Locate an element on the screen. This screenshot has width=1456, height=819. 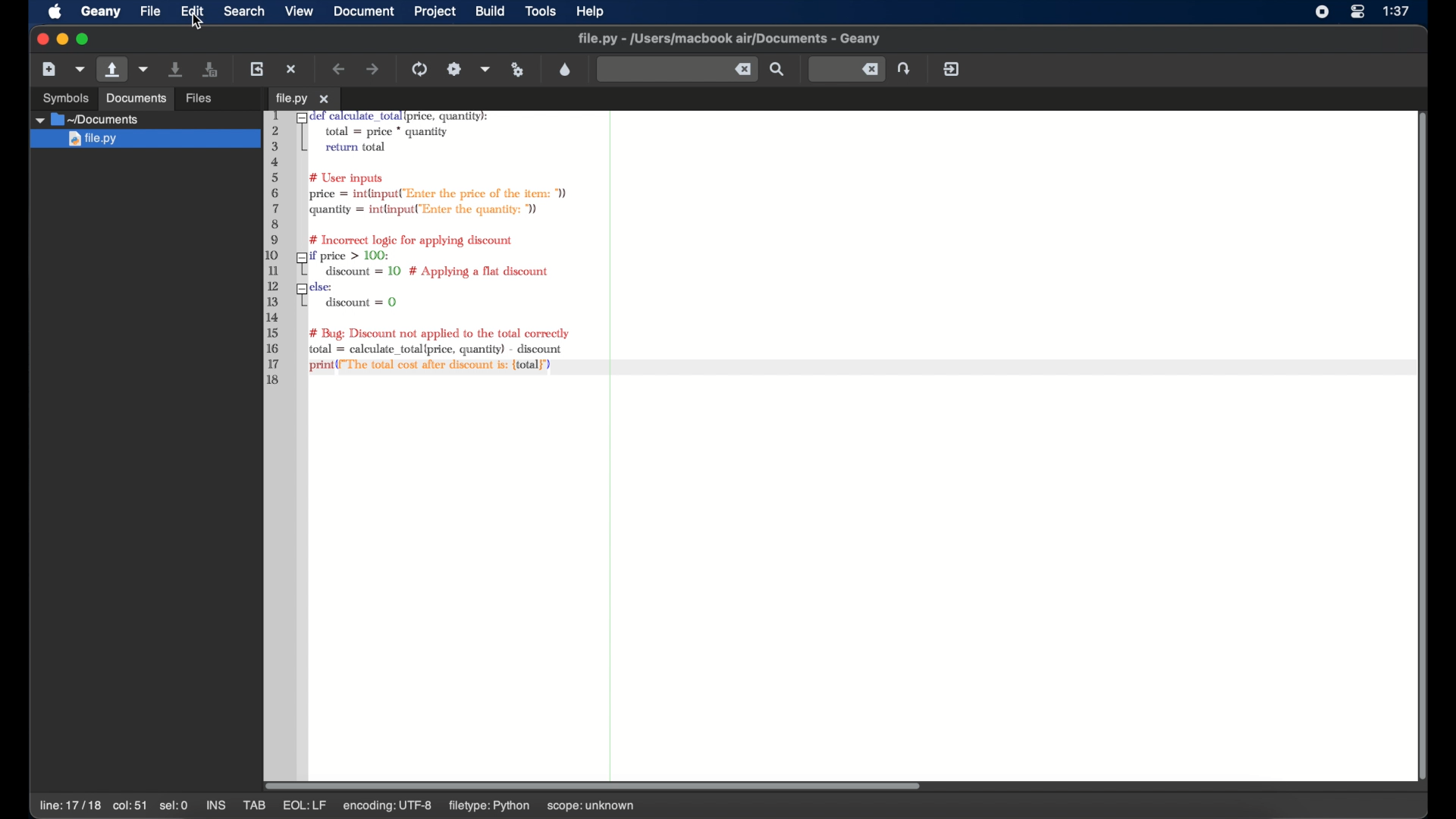
navigate back a location is located at coordinates (340, 69).